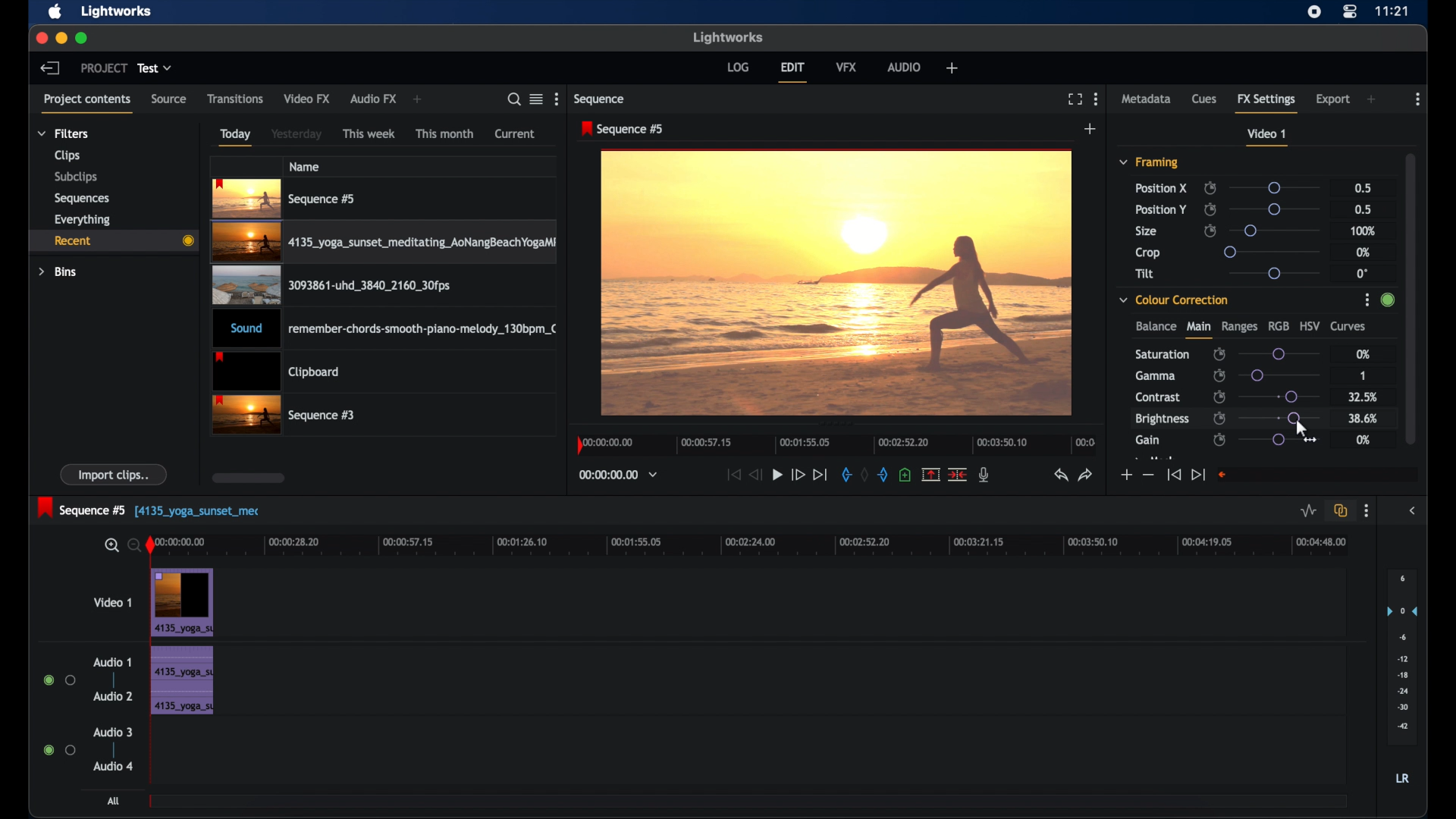 The width and height of the screenshot is (1456, 819). What do you see at coordinates (1161, 419) in the screenshot?
I see `brightness` at bounding box center [1161, 419].